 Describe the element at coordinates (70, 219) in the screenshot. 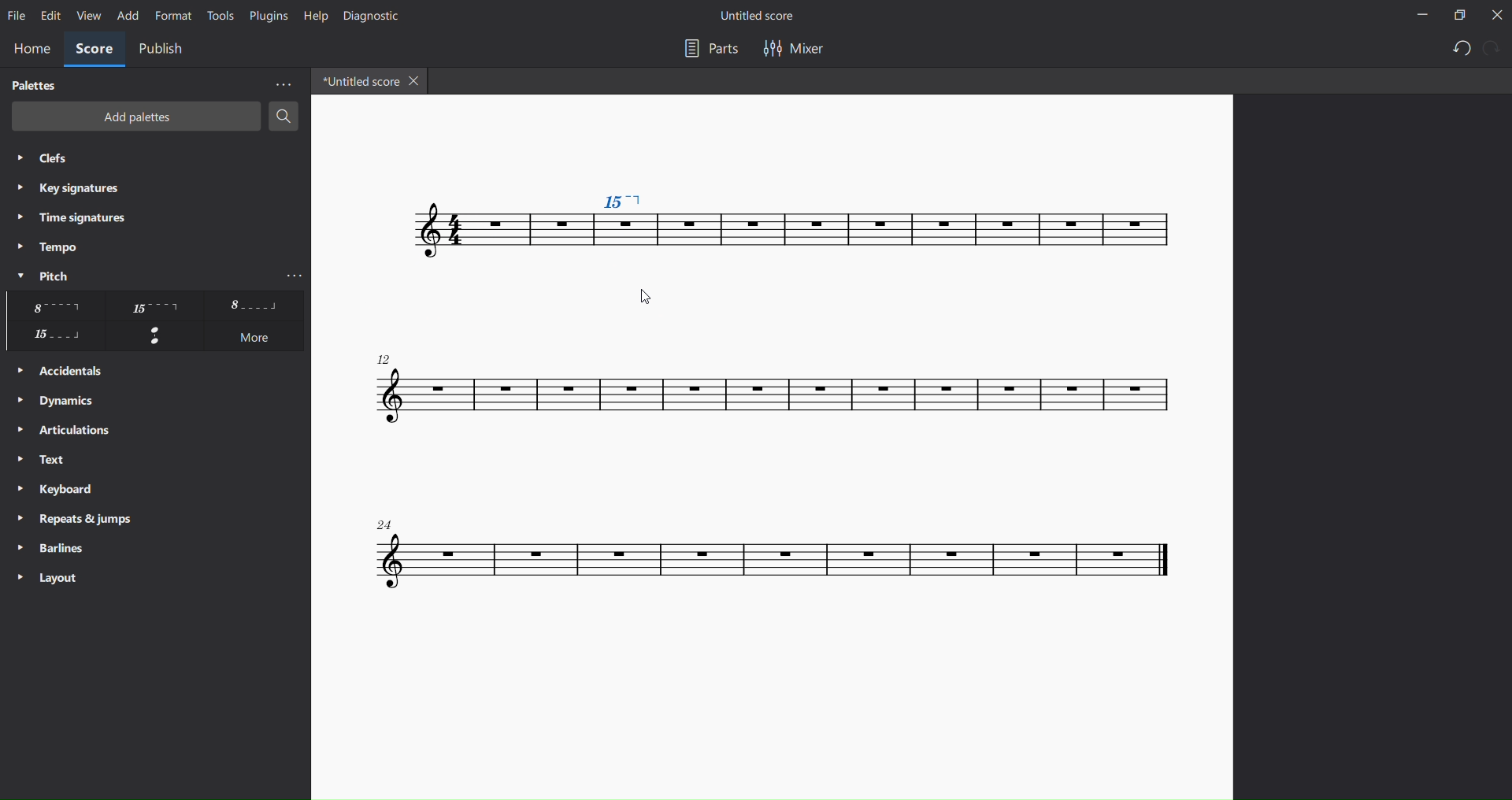

I see `time signatures` at that location.